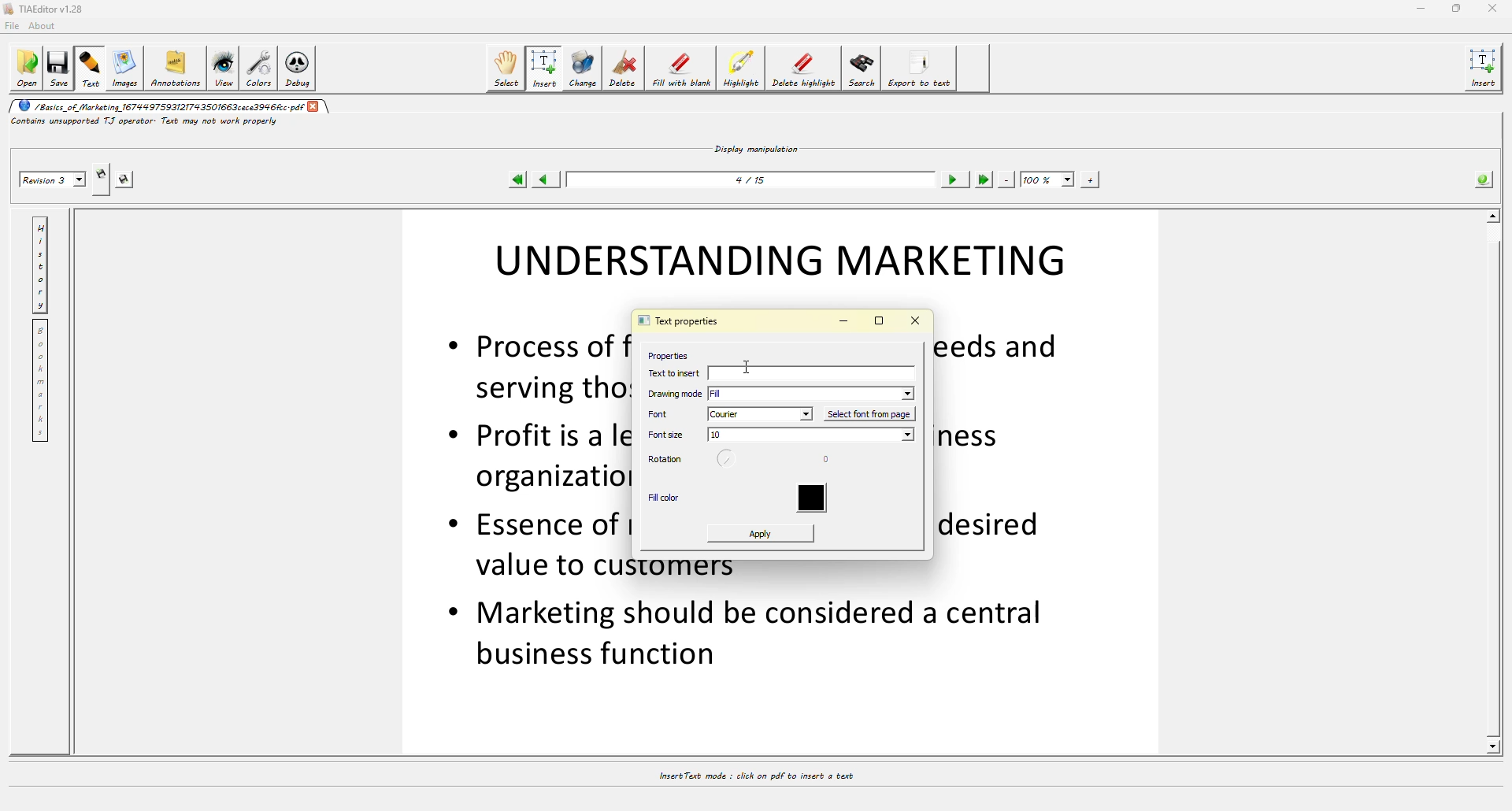  I want to click on delete, so click(624, 67).